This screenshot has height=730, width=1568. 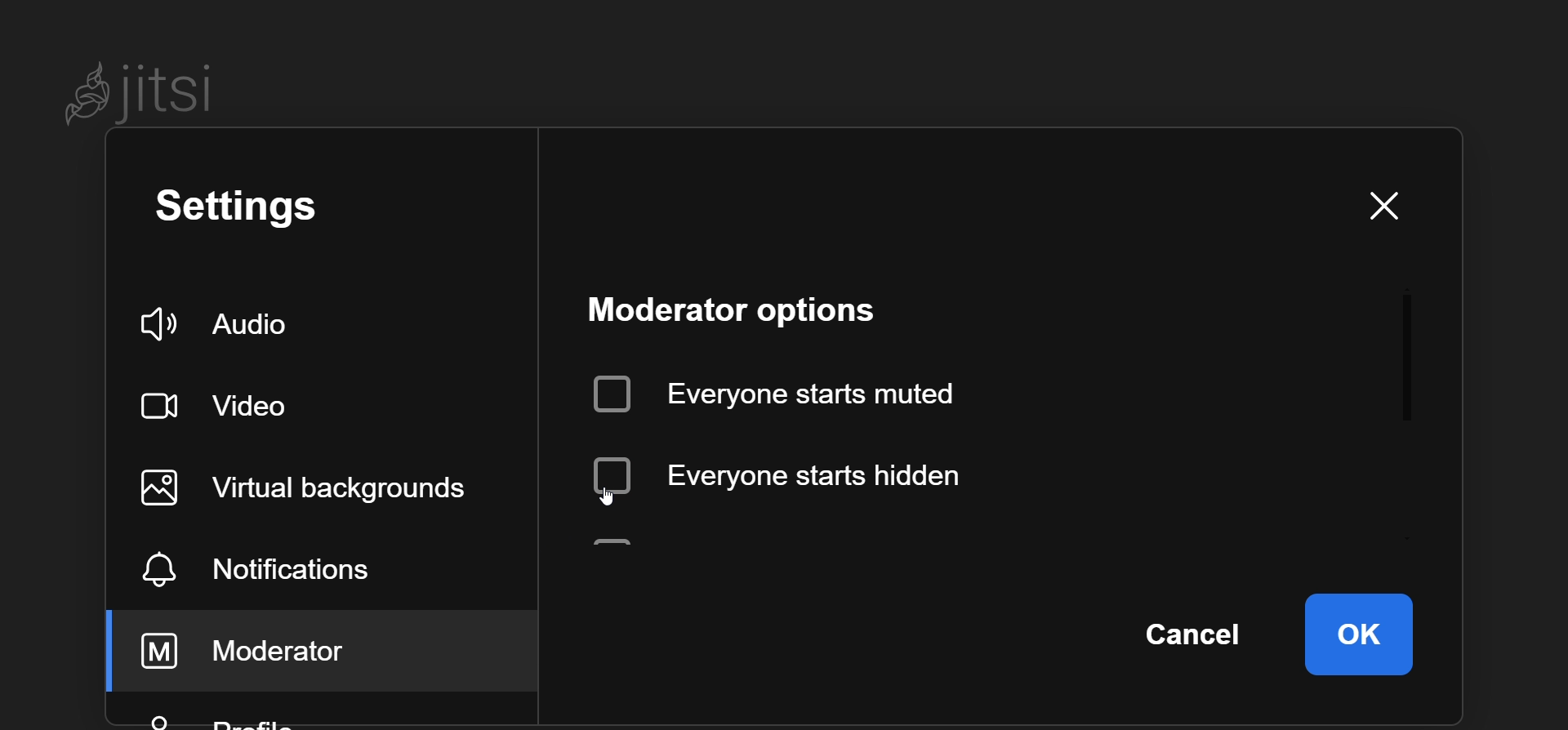 What do you see at coordinates (222, 405) in the screenshot?
I see `video` at bounding box center [222, 405].